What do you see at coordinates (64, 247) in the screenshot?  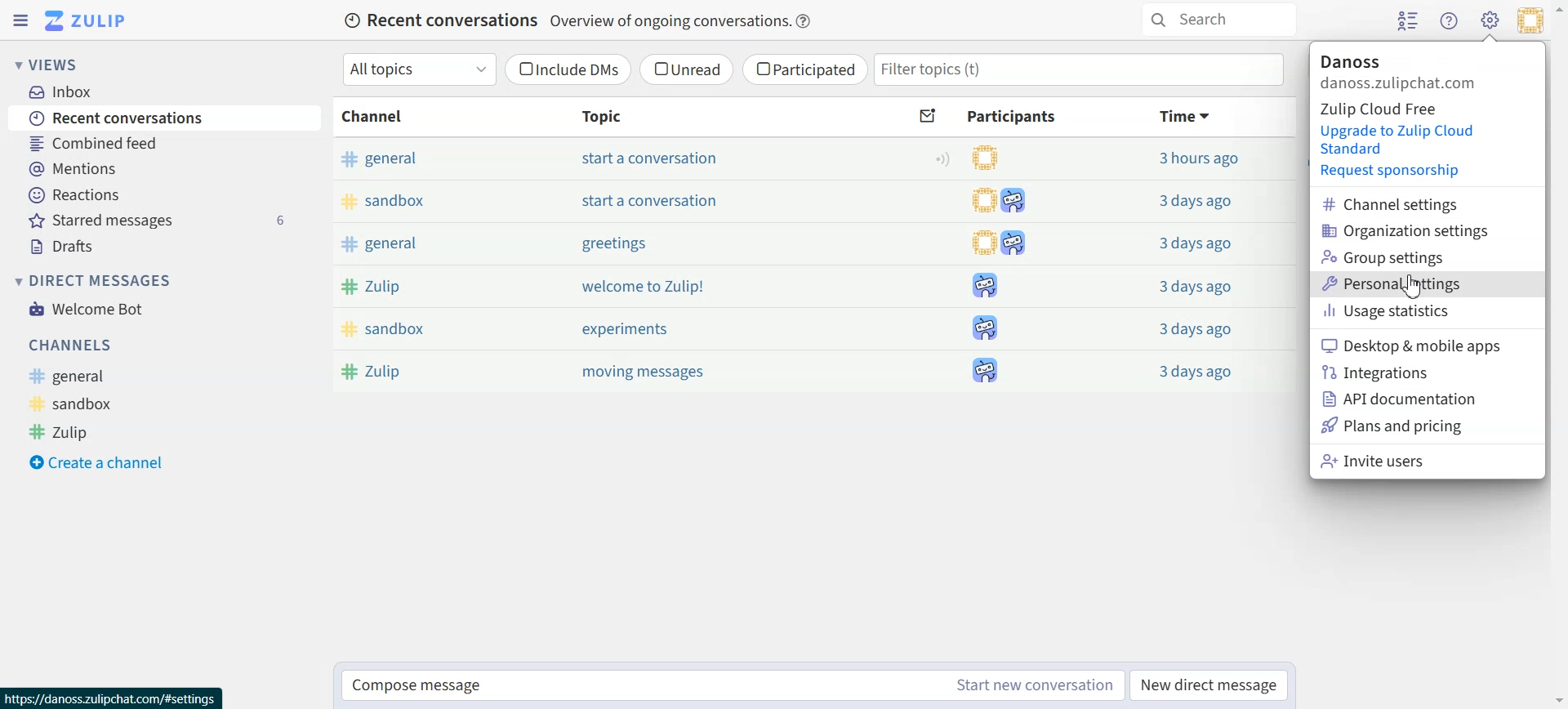 I see `Drafts` at bounding box center [64, 247].